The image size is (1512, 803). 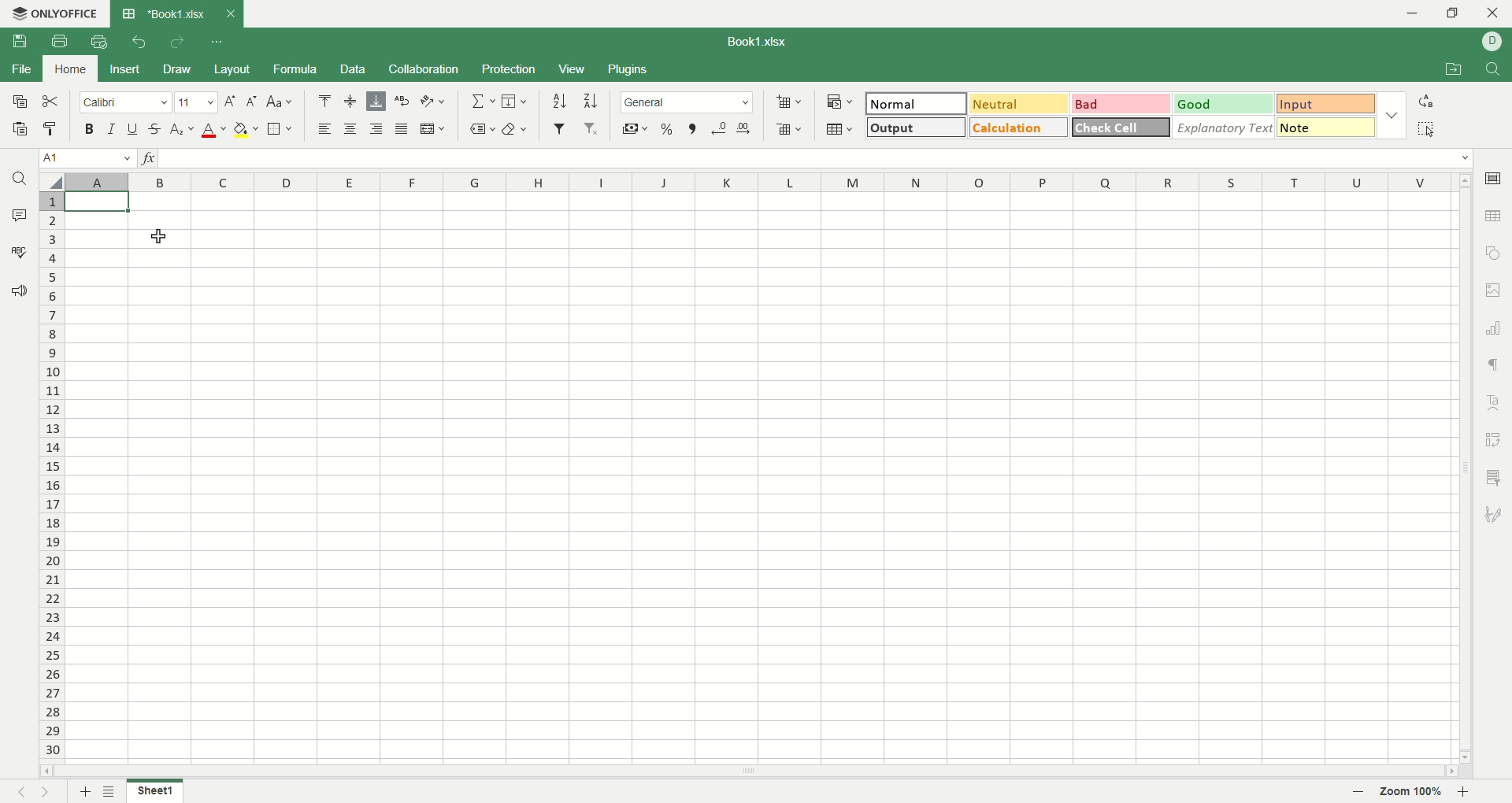 What do you see at coordinates (1457, 16) in the screenshot?
I see `maximize` at bounding box center [1457, 16].